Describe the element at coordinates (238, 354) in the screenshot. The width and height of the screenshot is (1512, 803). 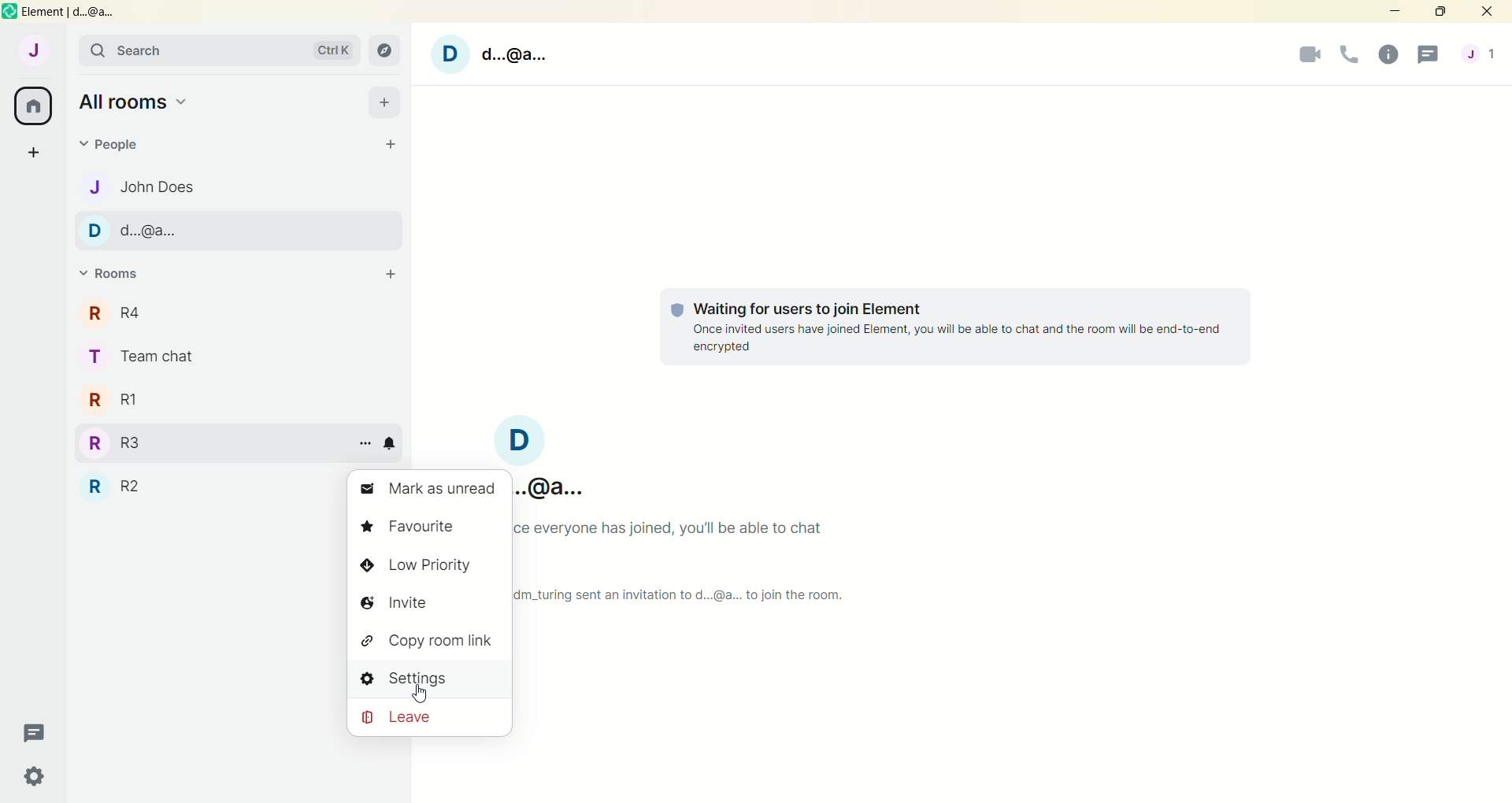
I see `team chat` at that location.